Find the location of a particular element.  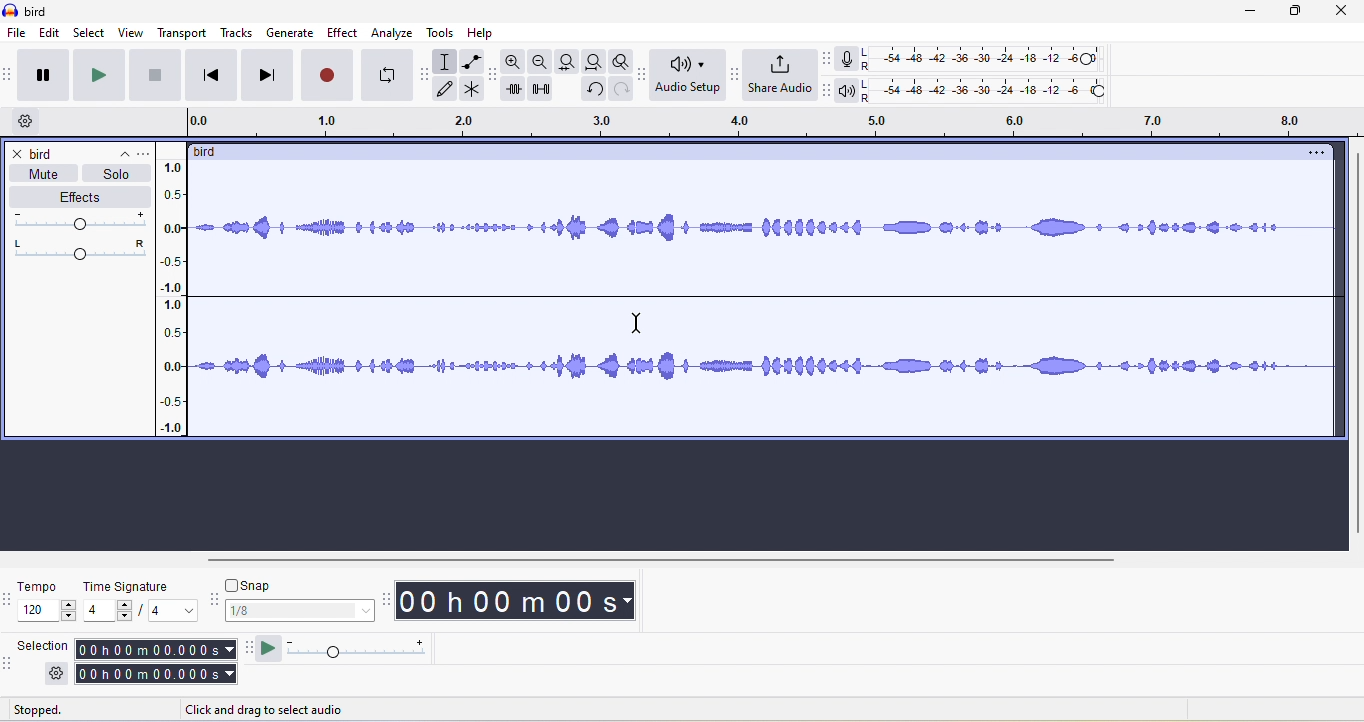

maximize is located at coordinates (1304, 15).